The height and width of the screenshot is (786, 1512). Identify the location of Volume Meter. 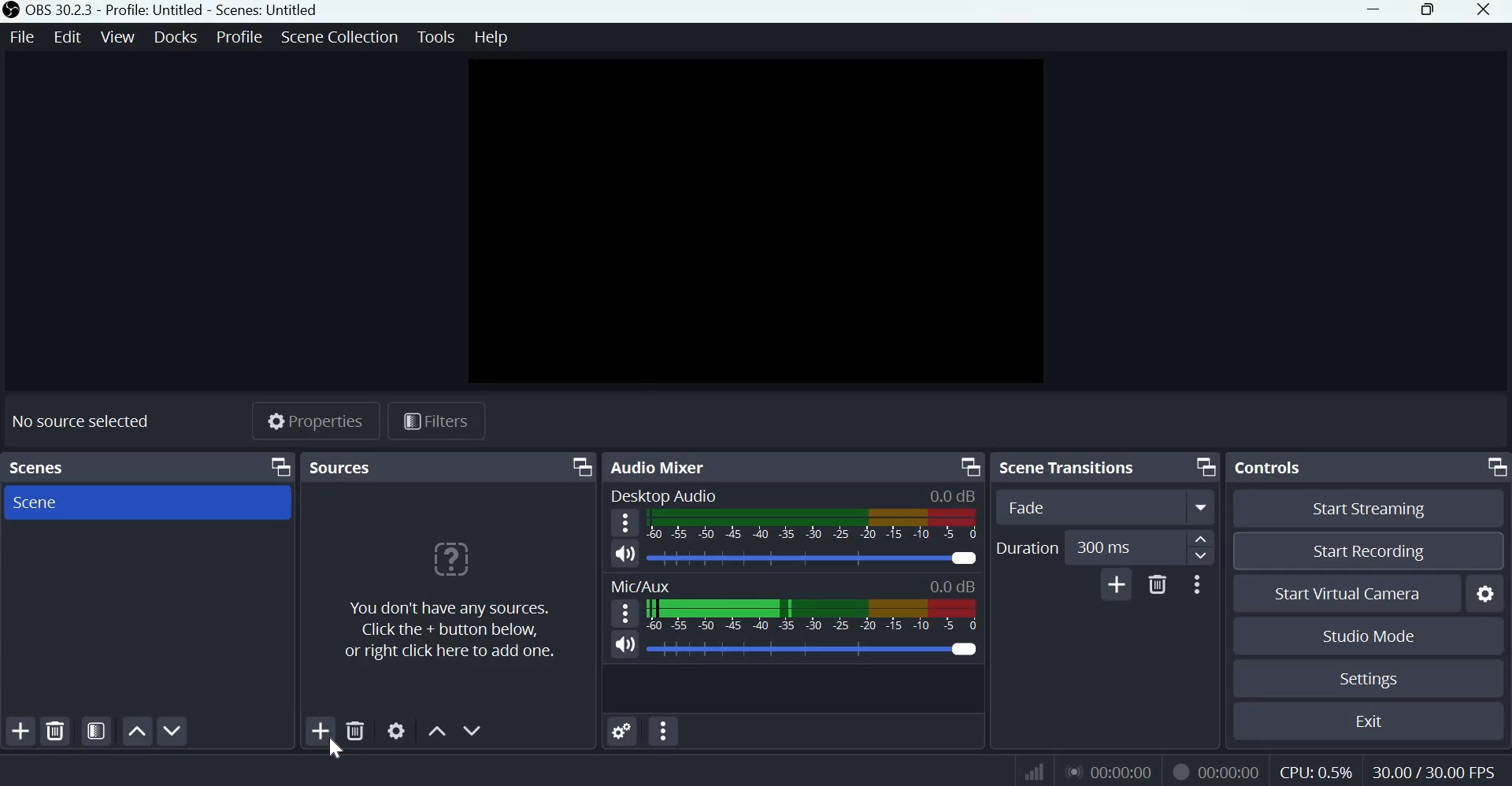
(813, 525).